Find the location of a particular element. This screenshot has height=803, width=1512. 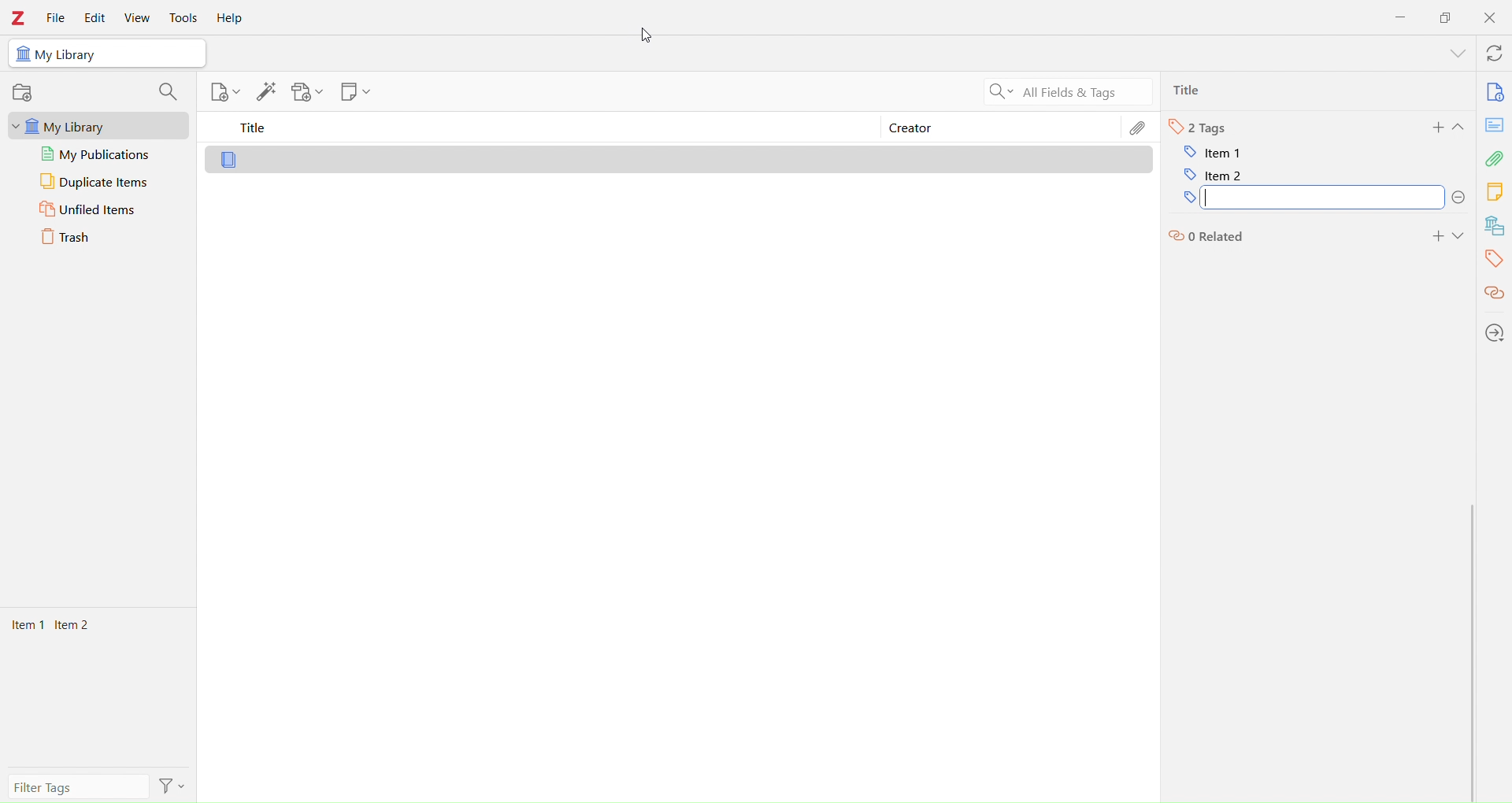

Title is located at coordinates (535, 130).